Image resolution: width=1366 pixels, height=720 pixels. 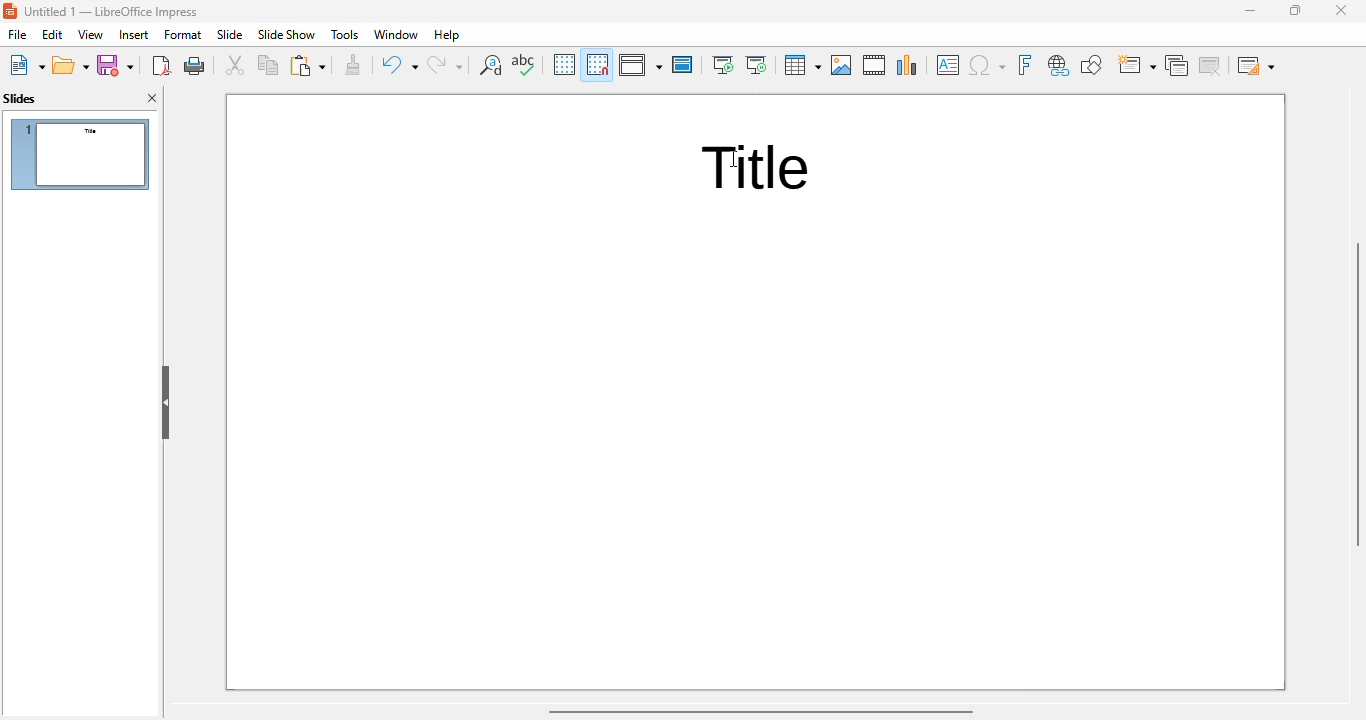 What do you see at coordinates (286, 35) in the screenshot?
I see `slide show` at bounding box center [286, 35].